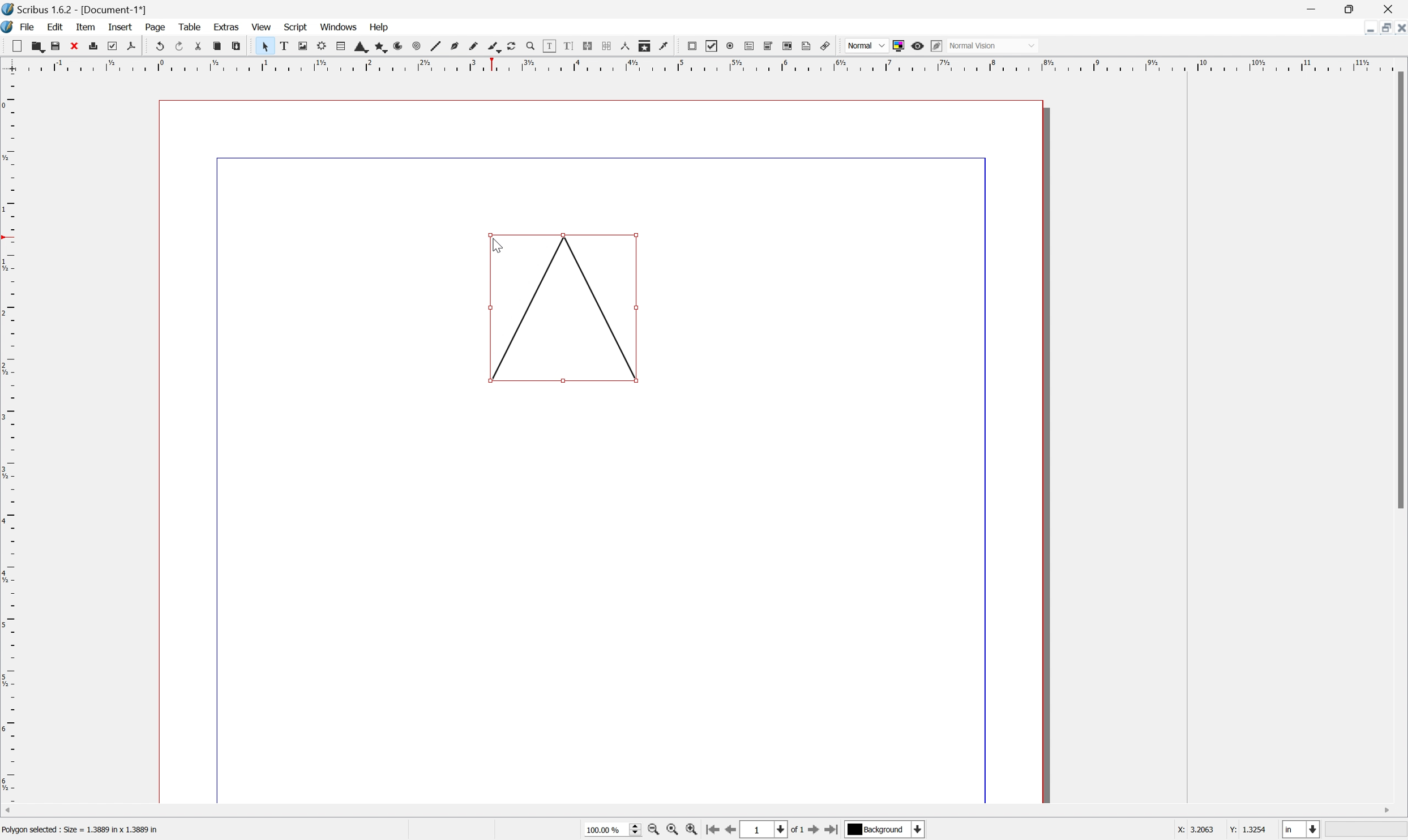  What do you see at coordinates (1192, 830) in the screenshot?
I see `X: 3.2063` at bounding box center [1192, 830].